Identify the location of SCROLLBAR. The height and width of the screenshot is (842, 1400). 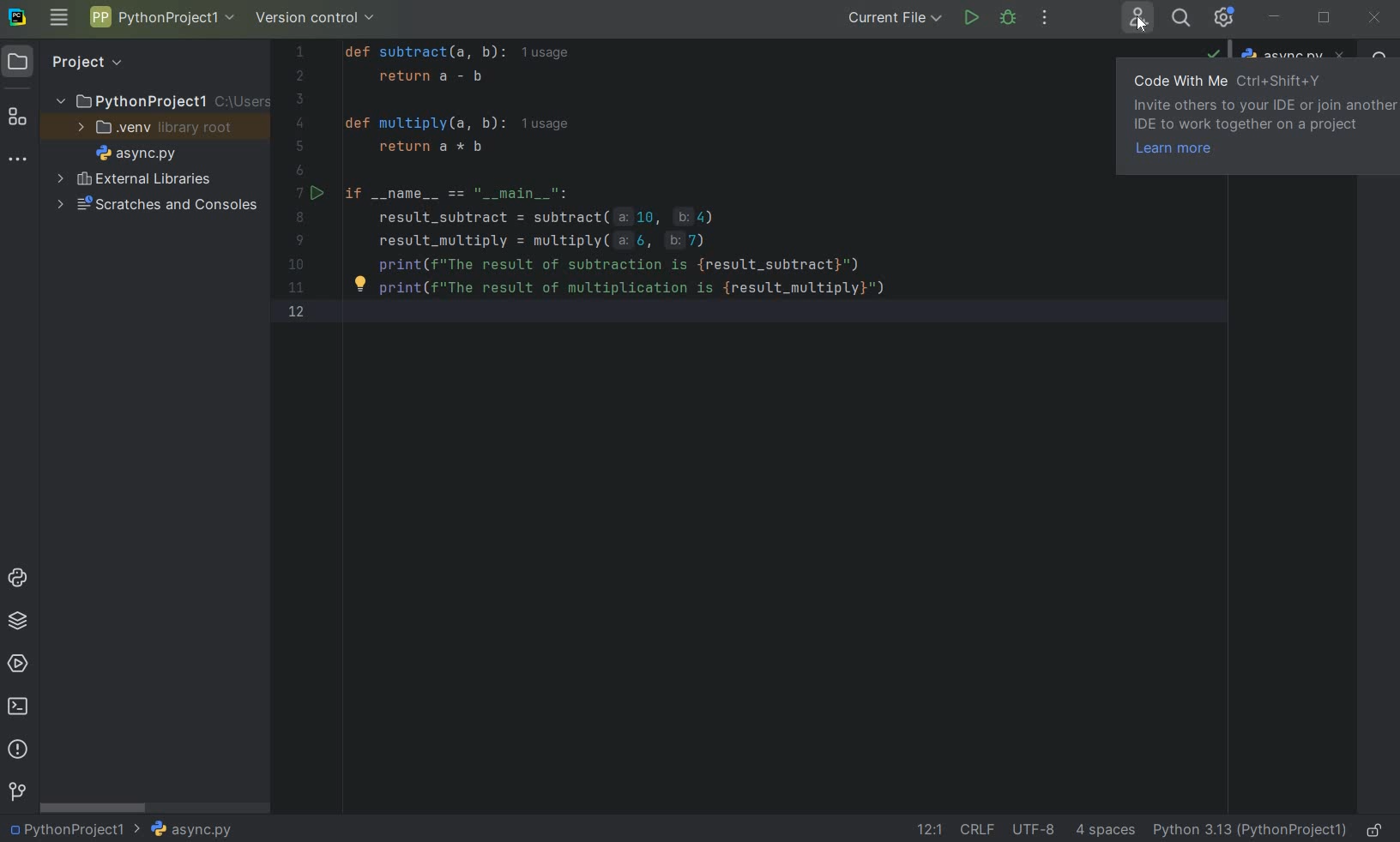
(94, 806).